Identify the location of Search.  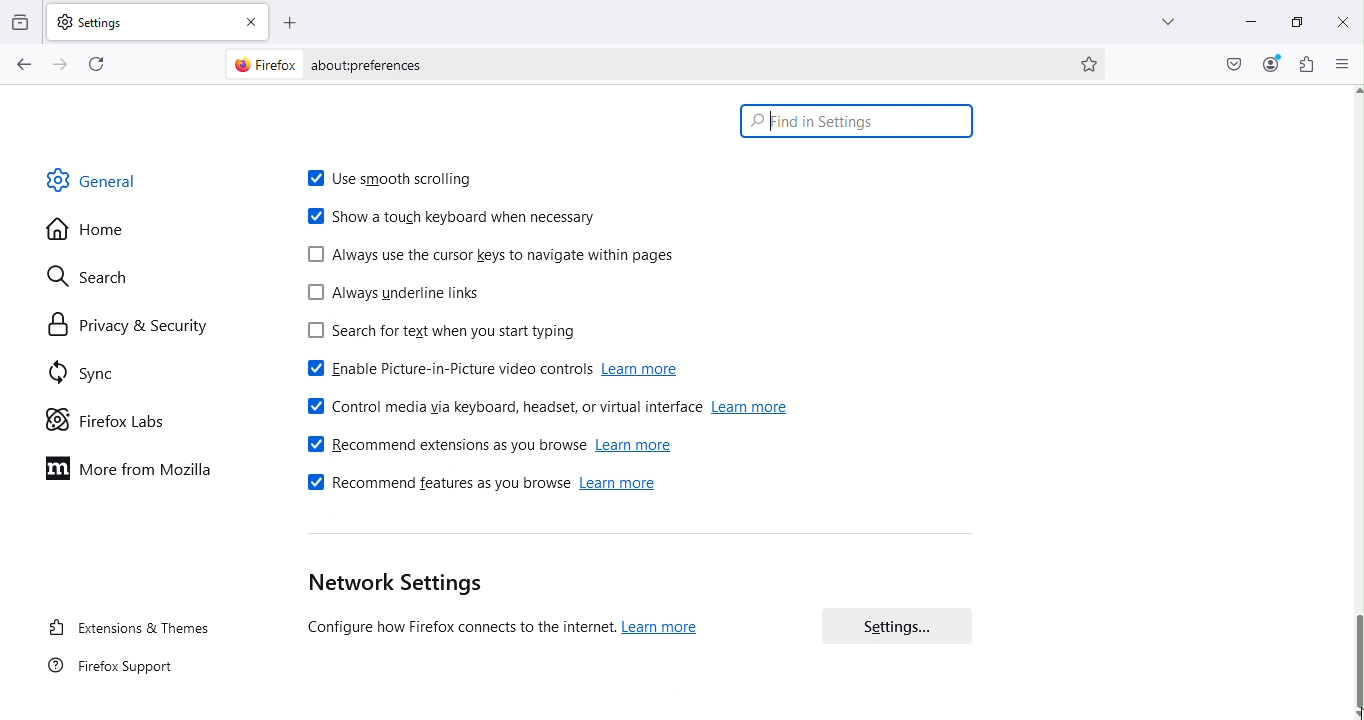
(99, 273).